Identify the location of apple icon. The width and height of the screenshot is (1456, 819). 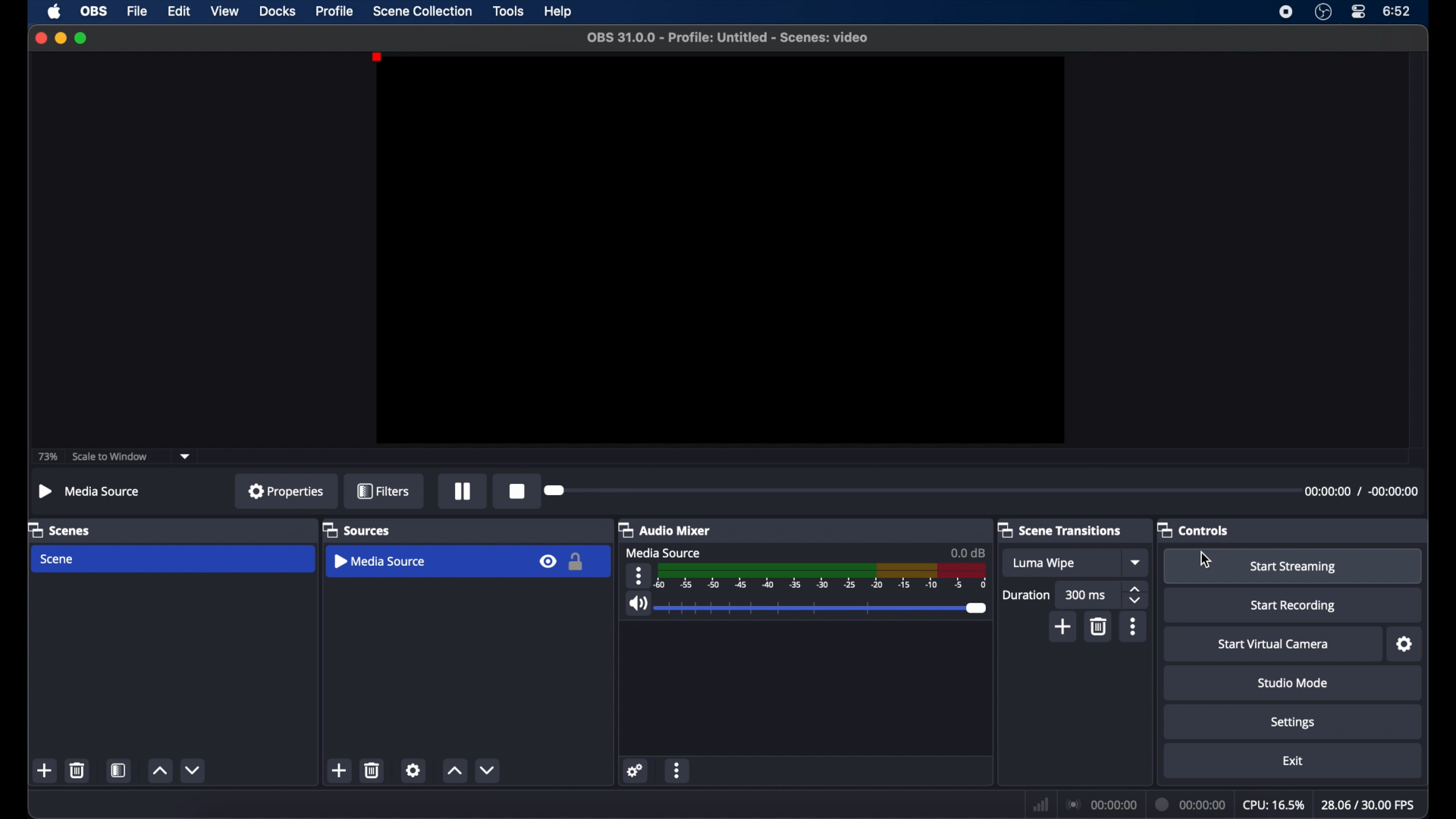
(54, 11).